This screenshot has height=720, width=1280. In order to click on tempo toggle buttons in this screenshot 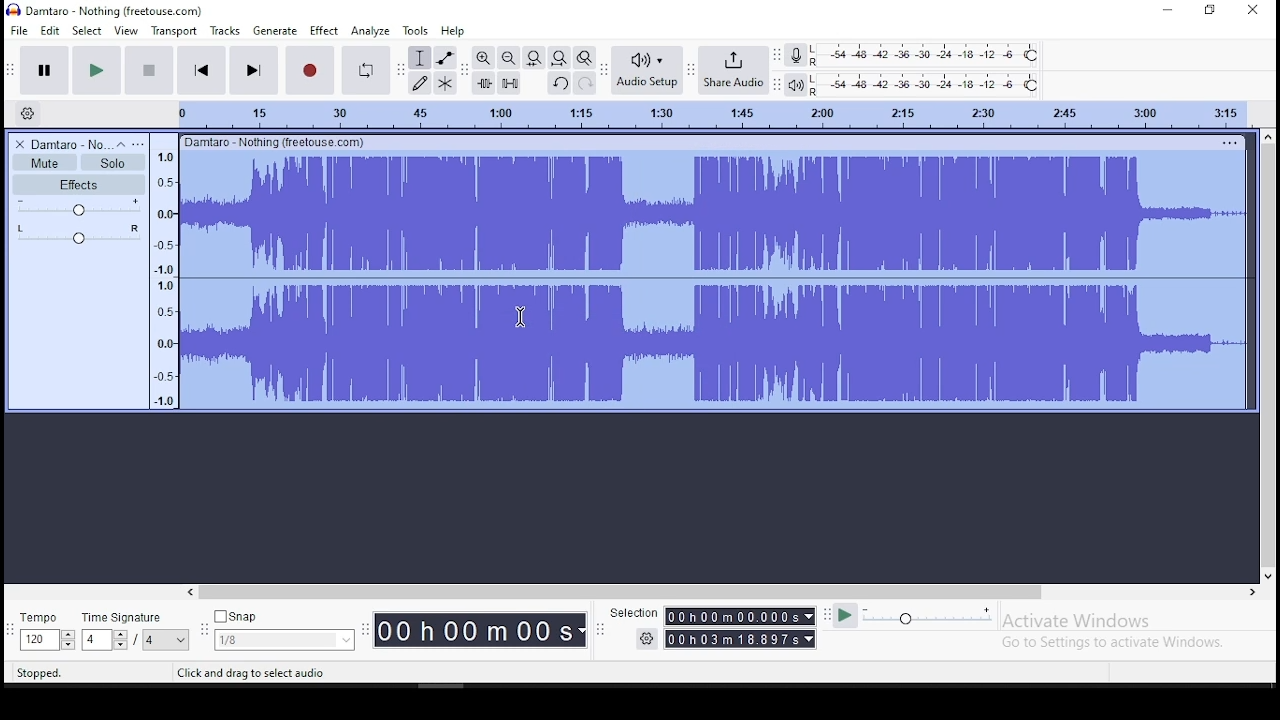, I will do `click(48, 640)`.